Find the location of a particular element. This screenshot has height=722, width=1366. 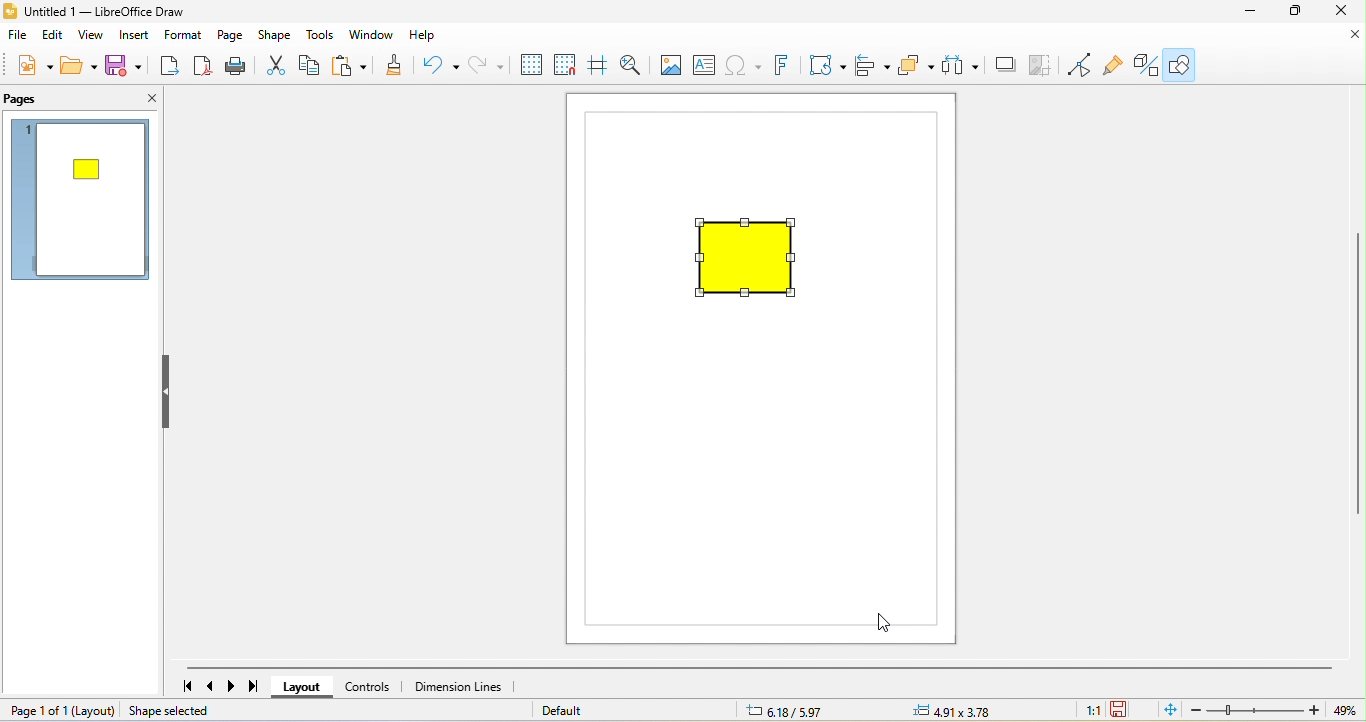

print is located at coordinates (240, 68).